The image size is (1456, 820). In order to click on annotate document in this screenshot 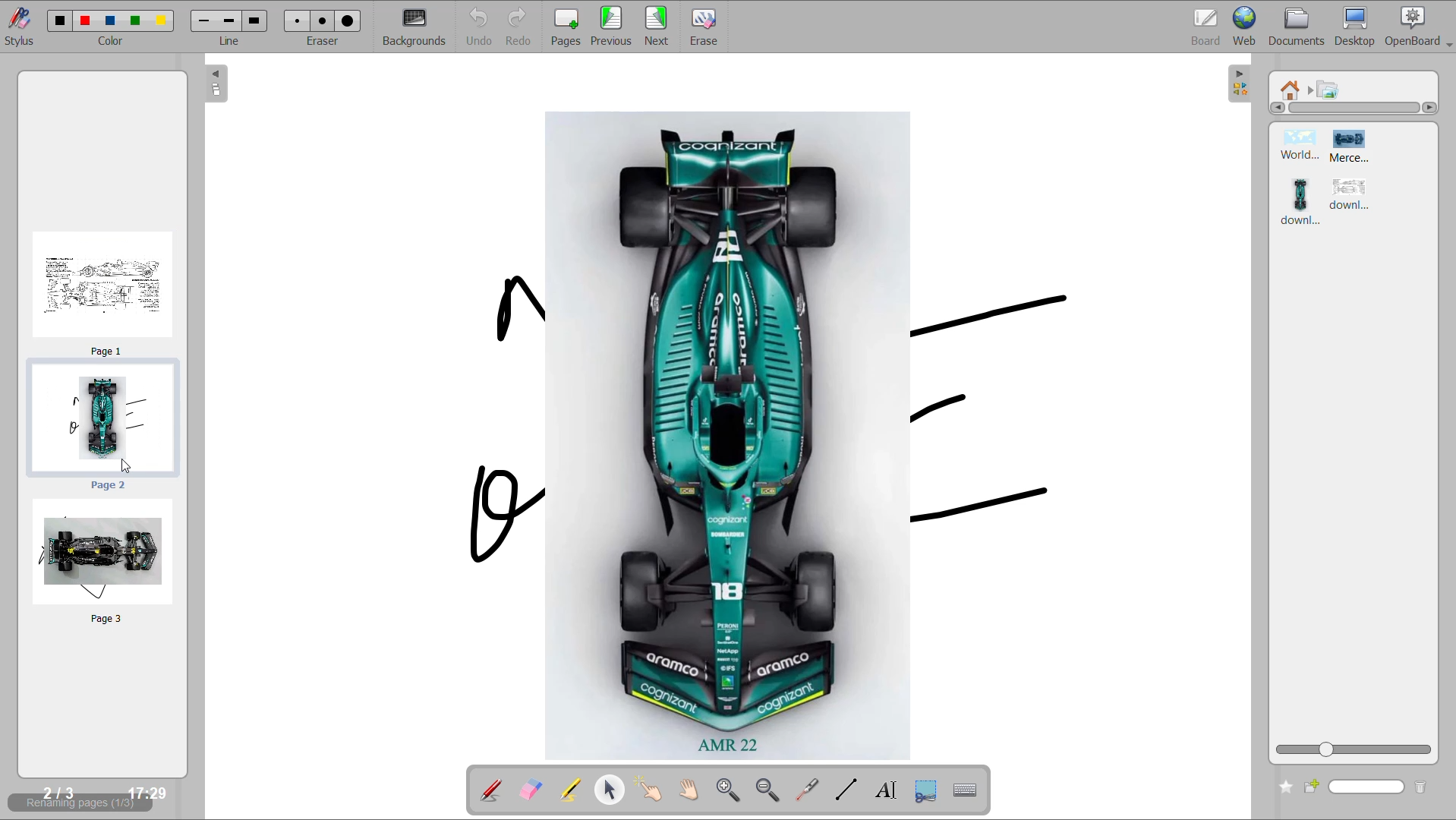, I will do `click(486, 790)`.